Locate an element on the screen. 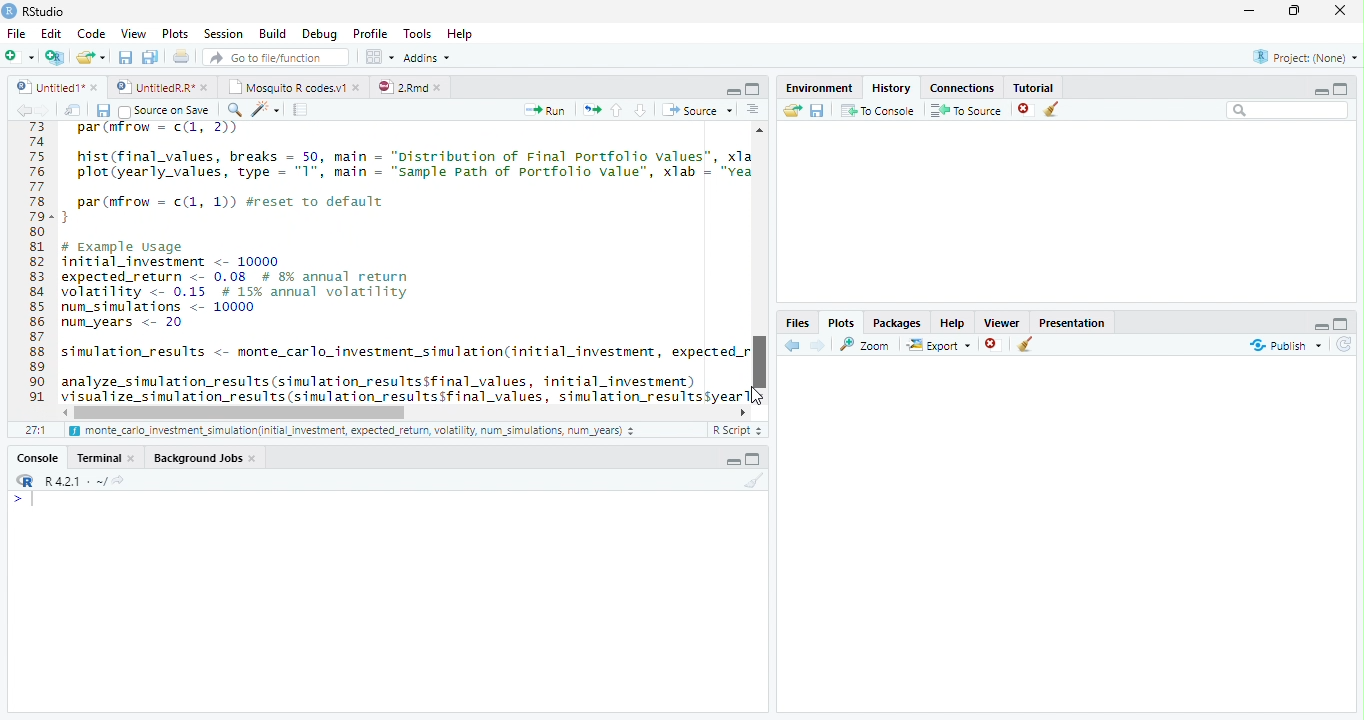  Addins is located at coordinates (428, 57).